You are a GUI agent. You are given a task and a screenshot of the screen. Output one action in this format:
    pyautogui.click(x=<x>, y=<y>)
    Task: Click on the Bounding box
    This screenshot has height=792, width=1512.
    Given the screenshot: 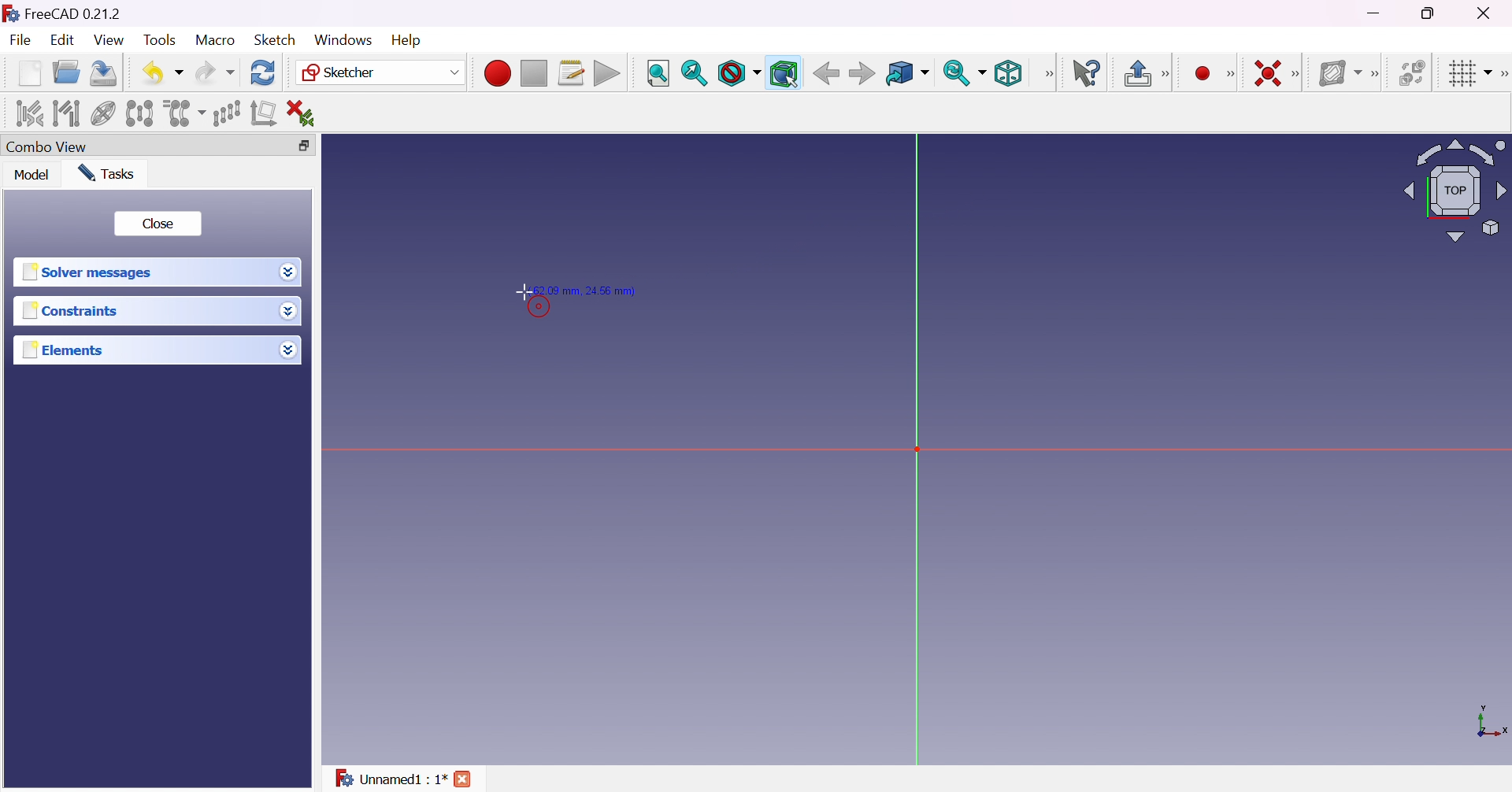 What is the action you would take?
    pyautogui.click(x=785, y=74)
    